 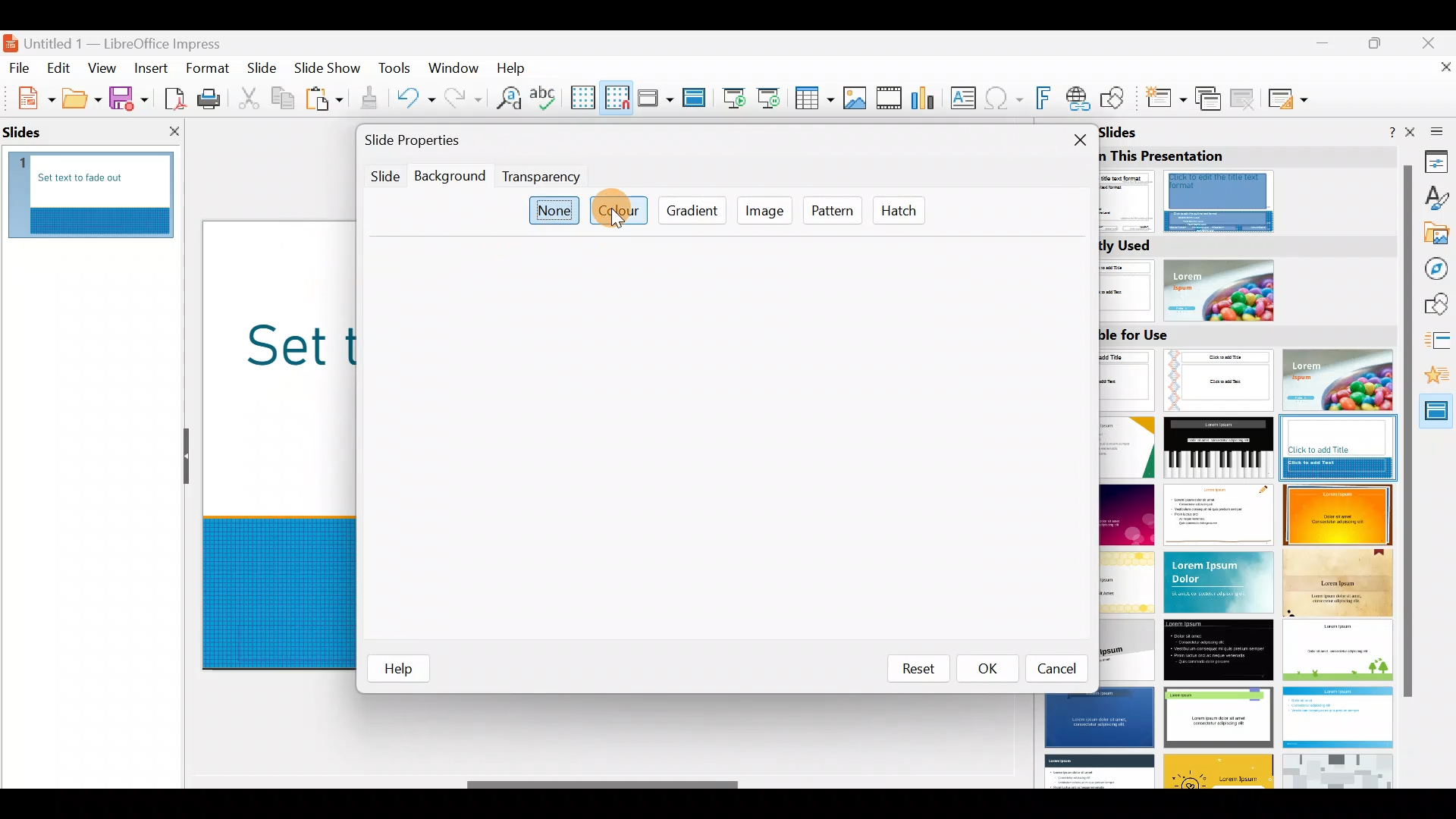 I want to click on Master slide, so click(x=696, y=99).